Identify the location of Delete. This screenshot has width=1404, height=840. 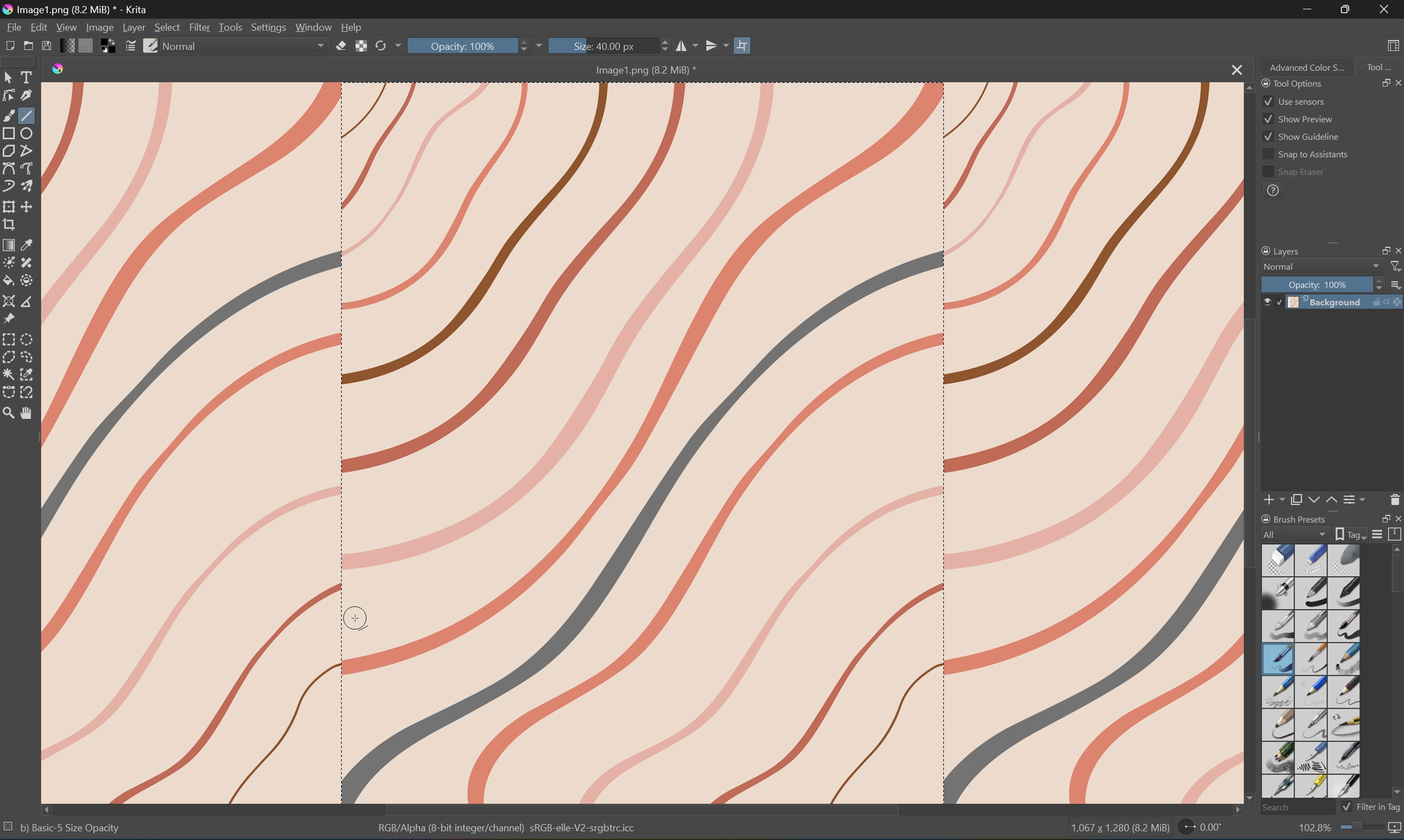
(1395, 499).